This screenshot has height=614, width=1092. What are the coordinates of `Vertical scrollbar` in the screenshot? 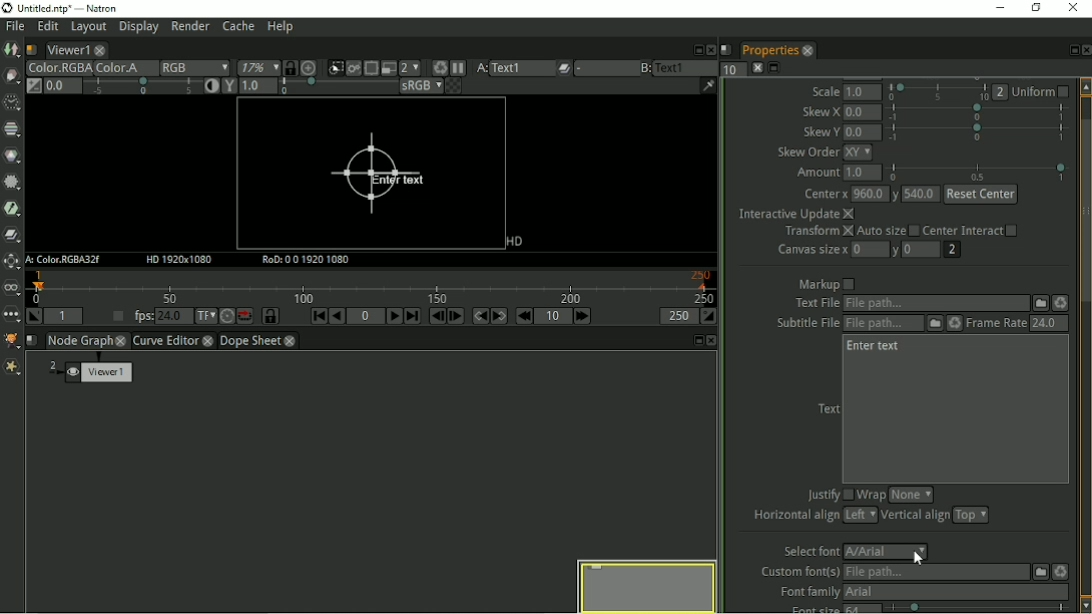 It's located at (1085, 345).